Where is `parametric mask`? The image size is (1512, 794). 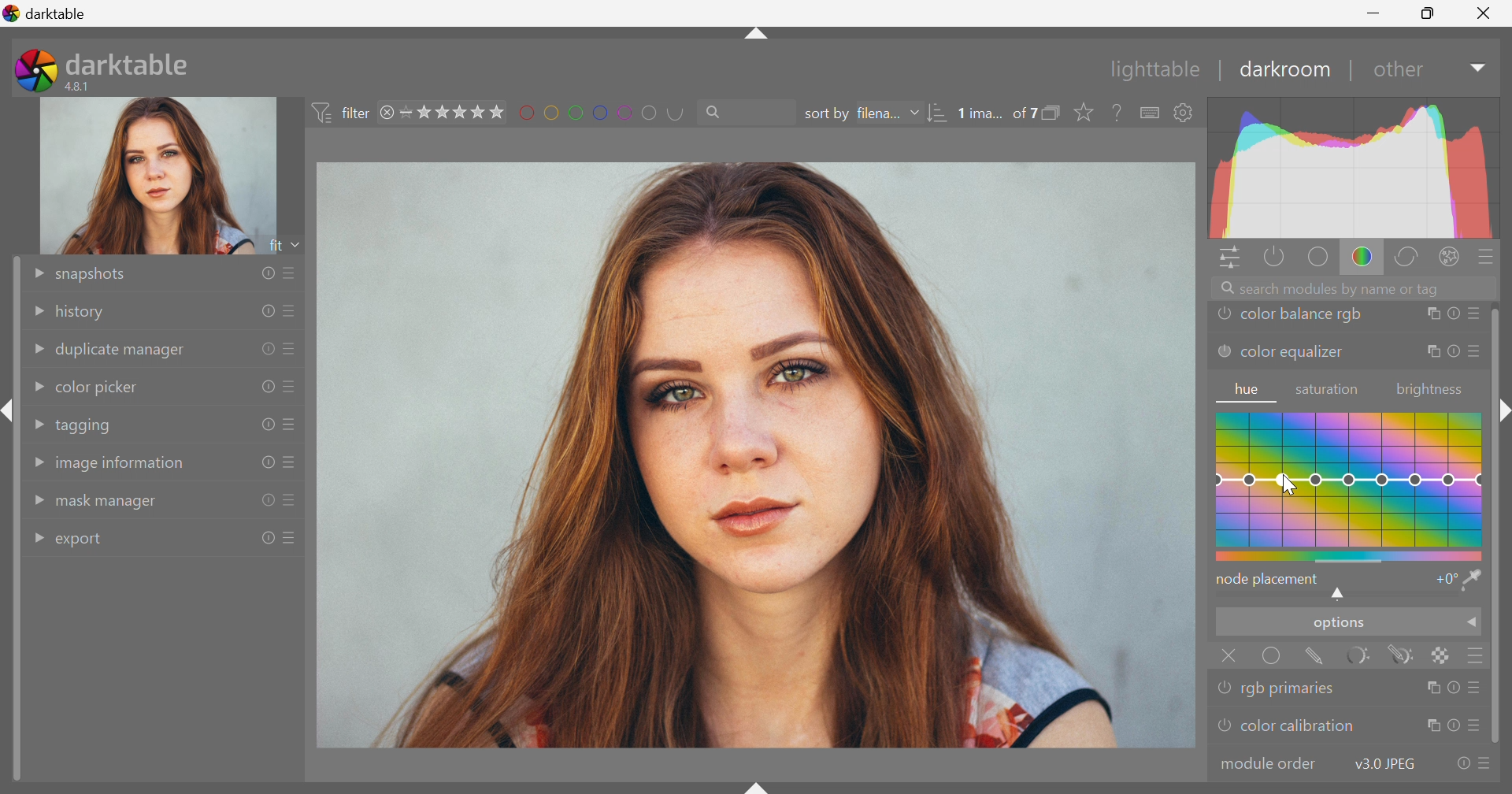
parametric mask is located at coordinates (1365, 655).